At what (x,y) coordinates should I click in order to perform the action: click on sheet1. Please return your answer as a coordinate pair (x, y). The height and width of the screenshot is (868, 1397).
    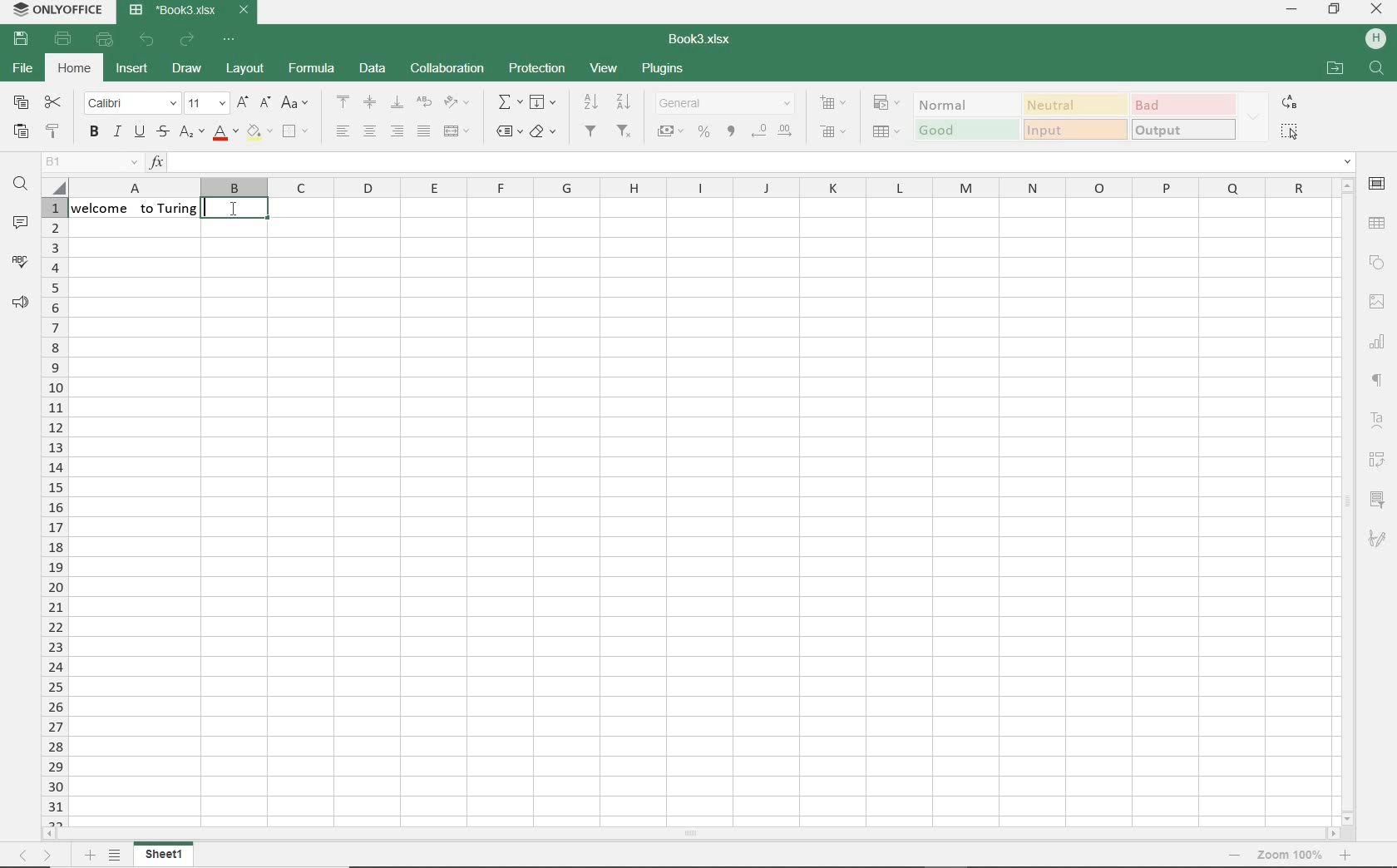
    Looking at the image, I should click on (163, 856).